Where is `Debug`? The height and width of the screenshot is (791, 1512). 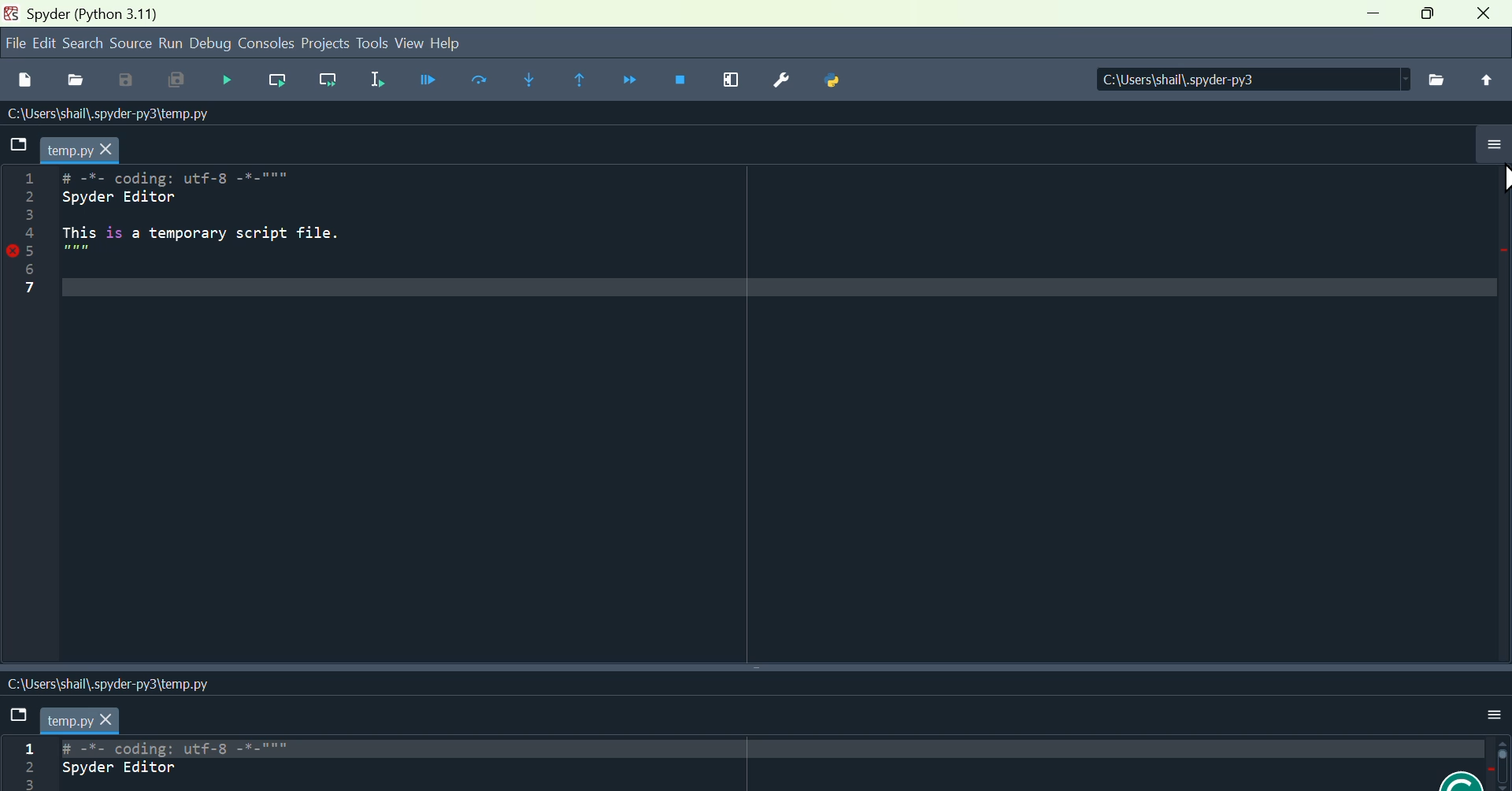 Debug is located at coordinates (215, 46).